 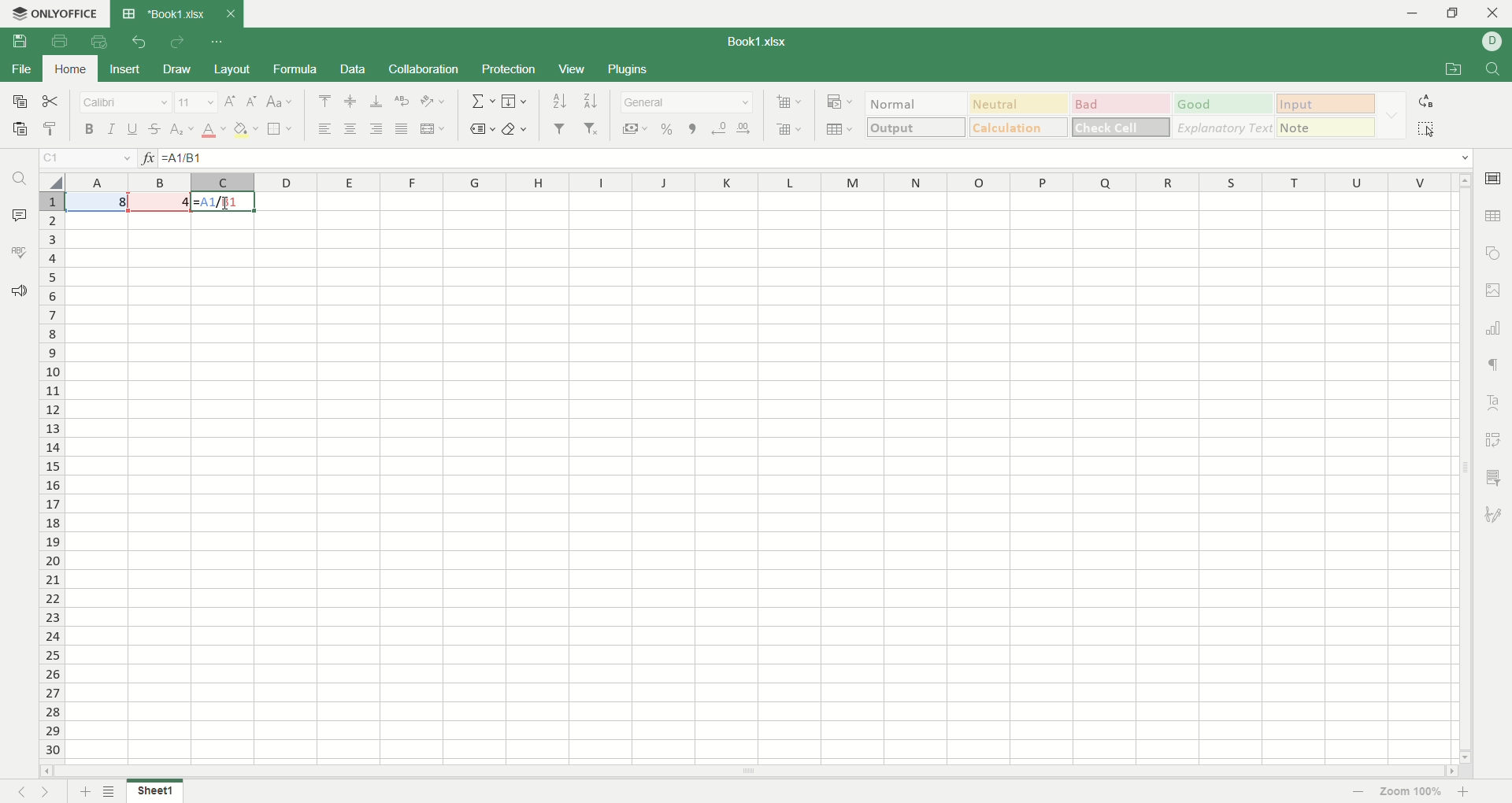 What do you see at coordinates (514, 128) in the screenshot?
I see `clear` at bounding box center [514, 128].